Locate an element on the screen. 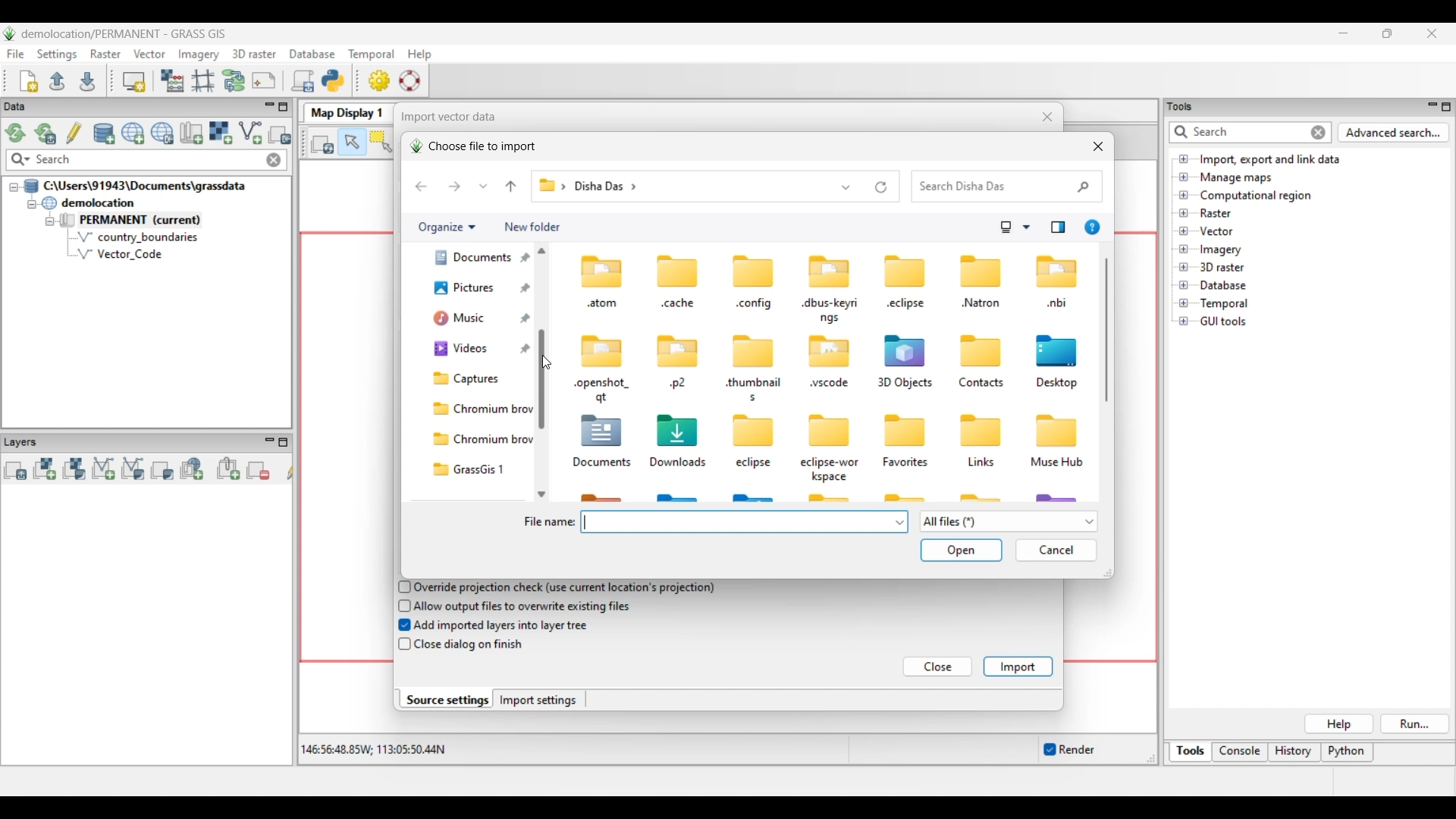 The height and width of the screenshot is (819, 1456). GUI settings is located at coordinates (380, 80).